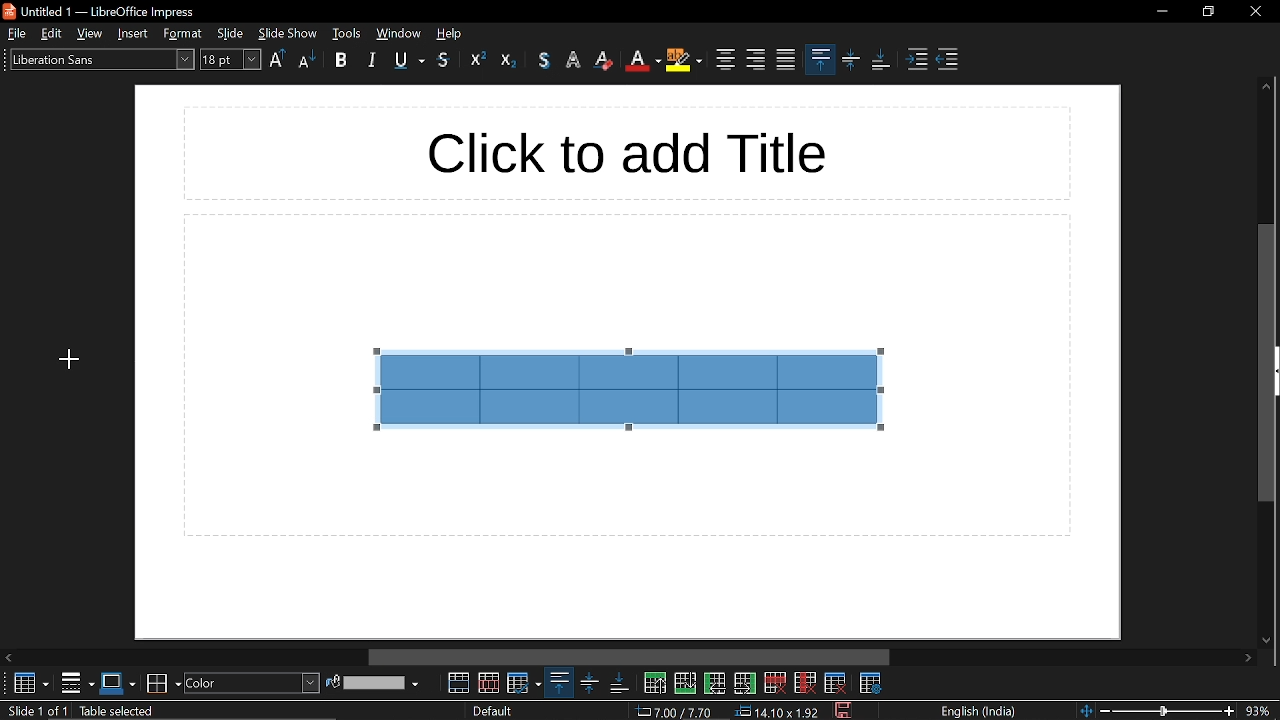 The image size is (1280, 720). What do you see at coordinates (1268, 638) in the screenshot?
I see `move down` at bounding box center [1268, 638].